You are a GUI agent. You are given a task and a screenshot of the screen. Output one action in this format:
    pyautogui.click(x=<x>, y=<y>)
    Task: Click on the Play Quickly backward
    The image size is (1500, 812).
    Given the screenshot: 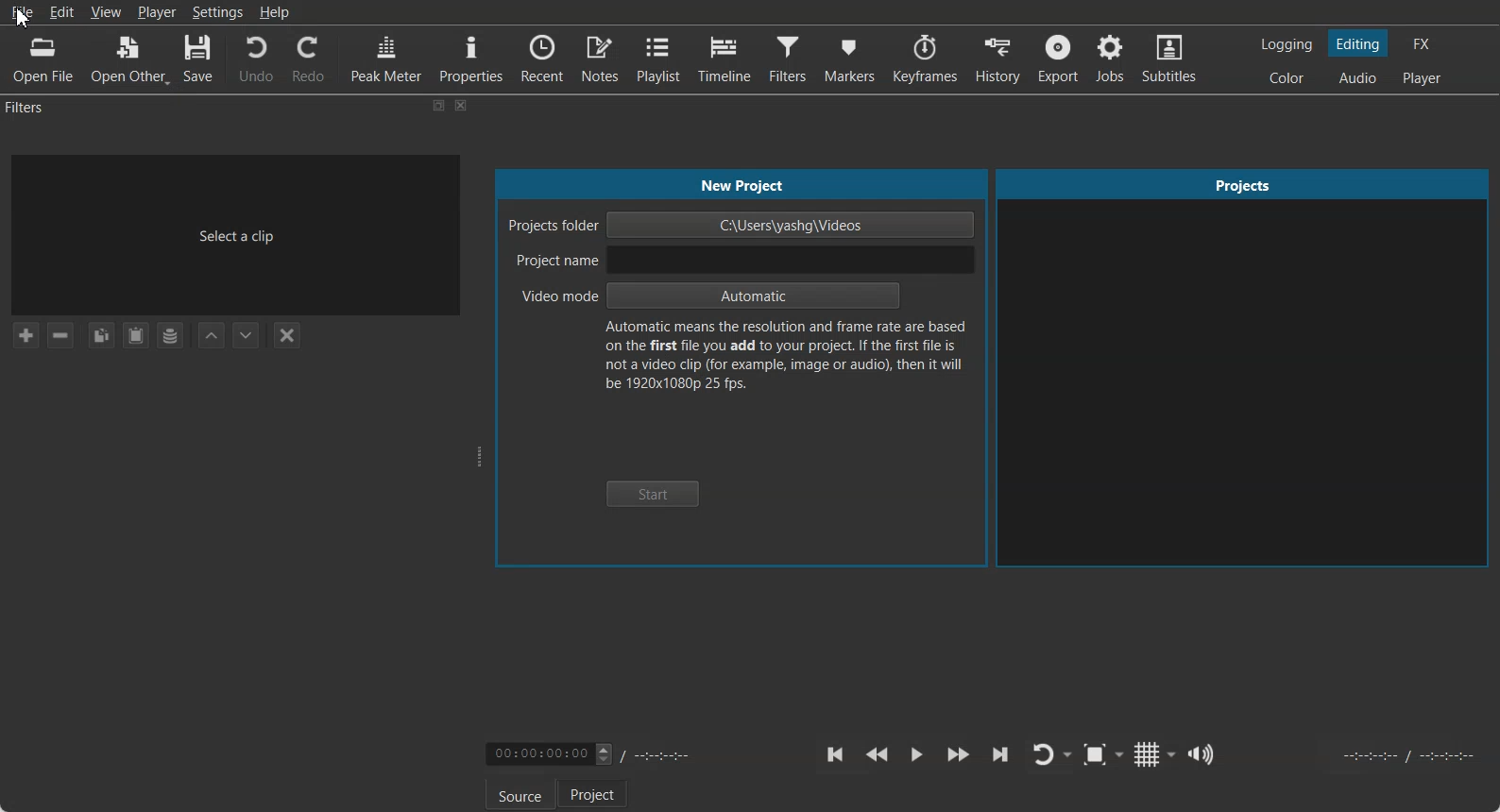 What is the action you would take?
    pyautogui.click(x=878, y=754)
    